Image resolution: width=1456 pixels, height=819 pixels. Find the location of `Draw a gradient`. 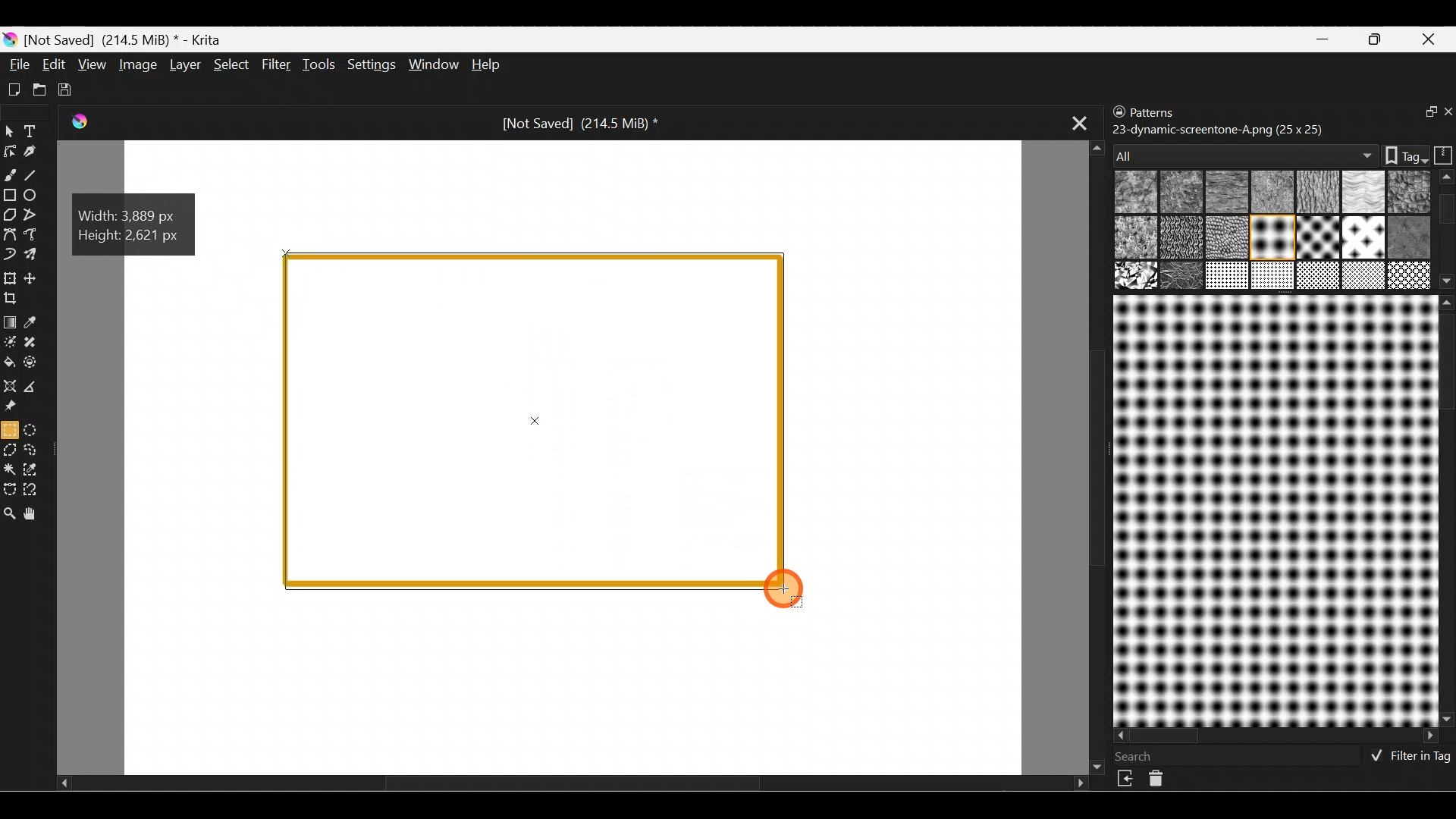

Draw a gradient is located at coordinates (12, 318).